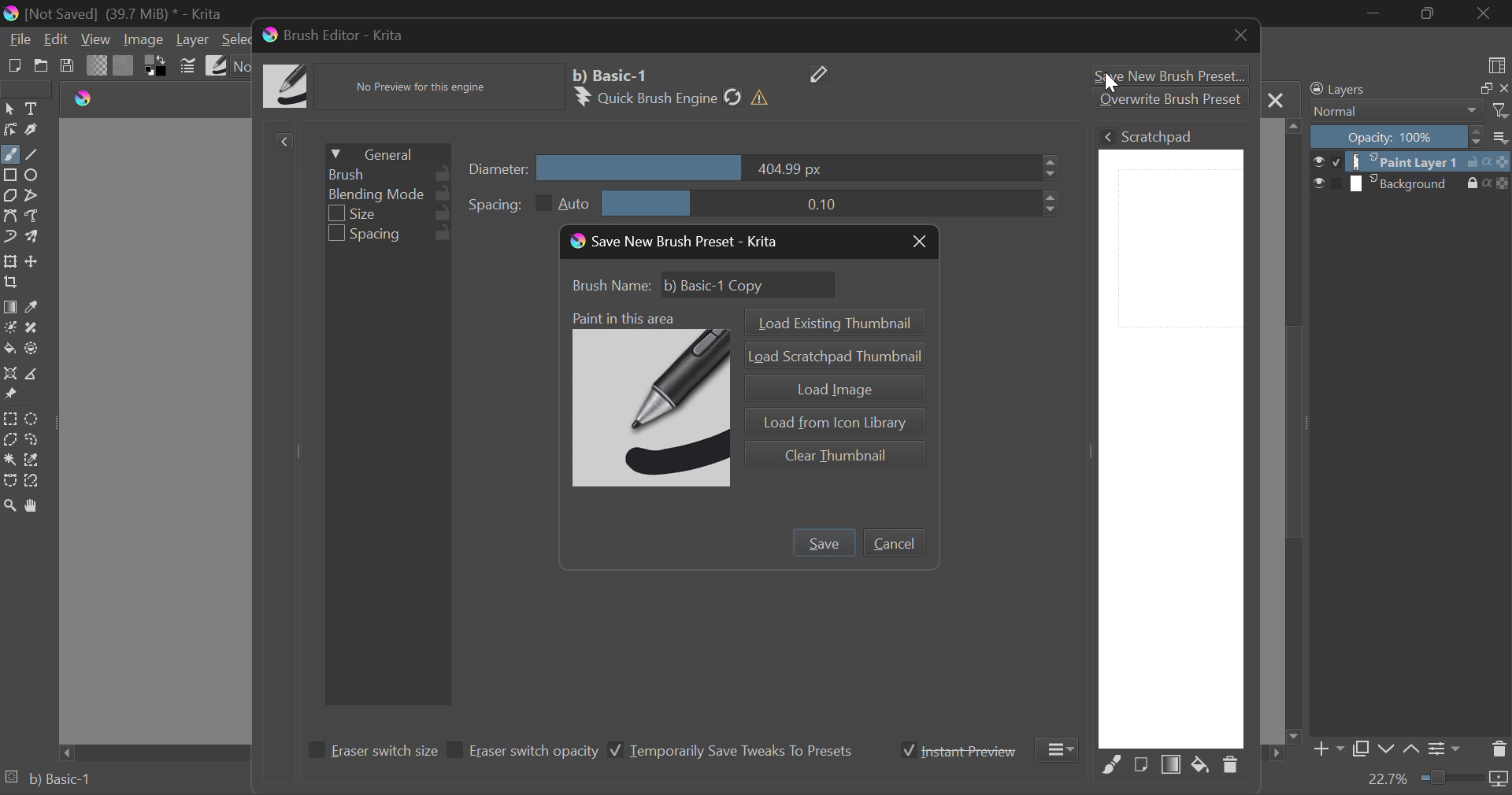 The width and height of the screenshot is (1512, 795). What do you see at coordinates (387, 152) in the screenshot?
I see `General` at bounding box center [387, 152].